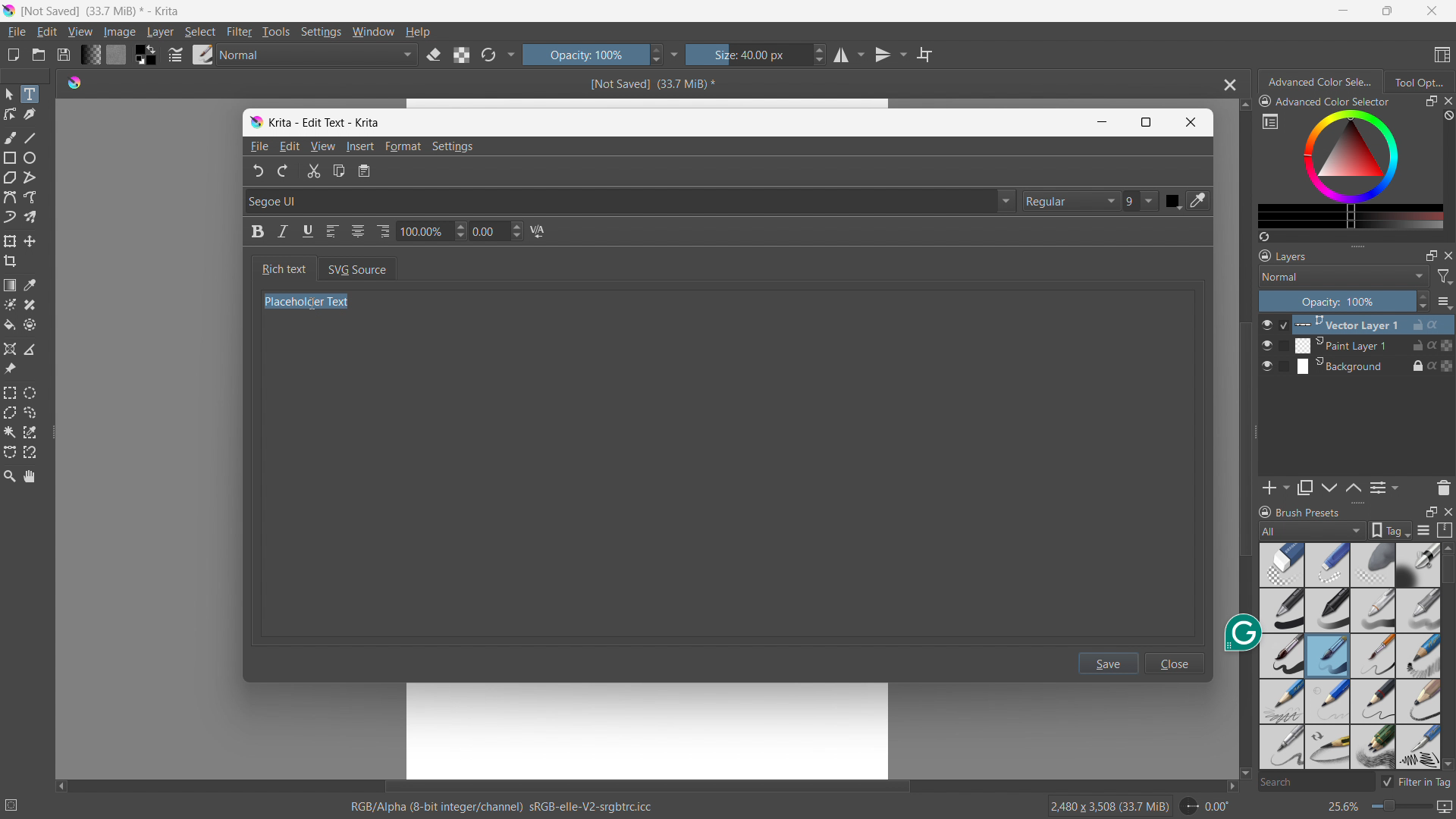  What do you see at coordinates (1206, 806) in the screenshot?
I see `rotate canvas` at bounding box center [1206, 806].